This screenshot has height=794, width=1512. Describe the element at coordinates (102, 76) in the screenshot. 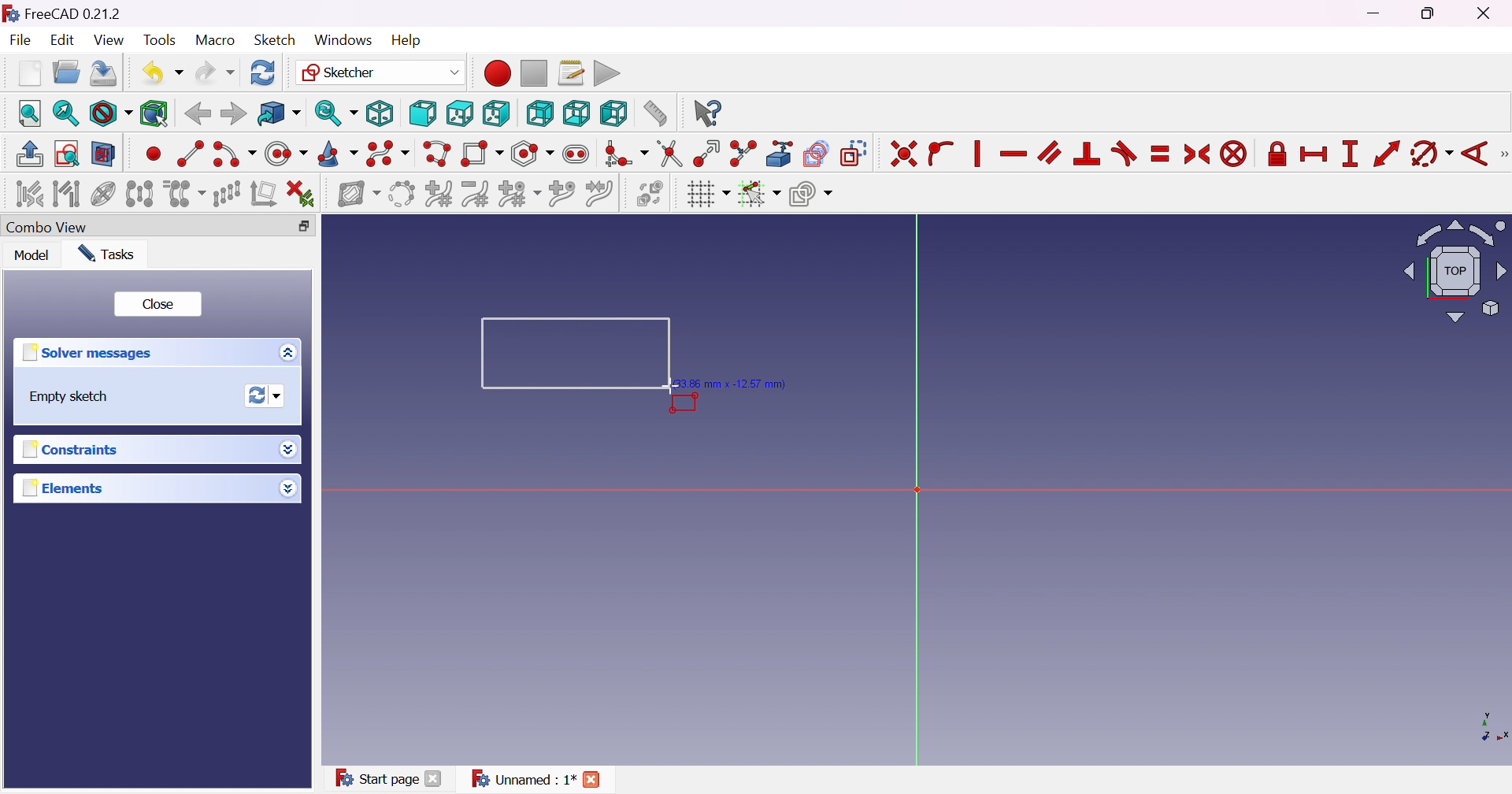

I see `Save` at that location.